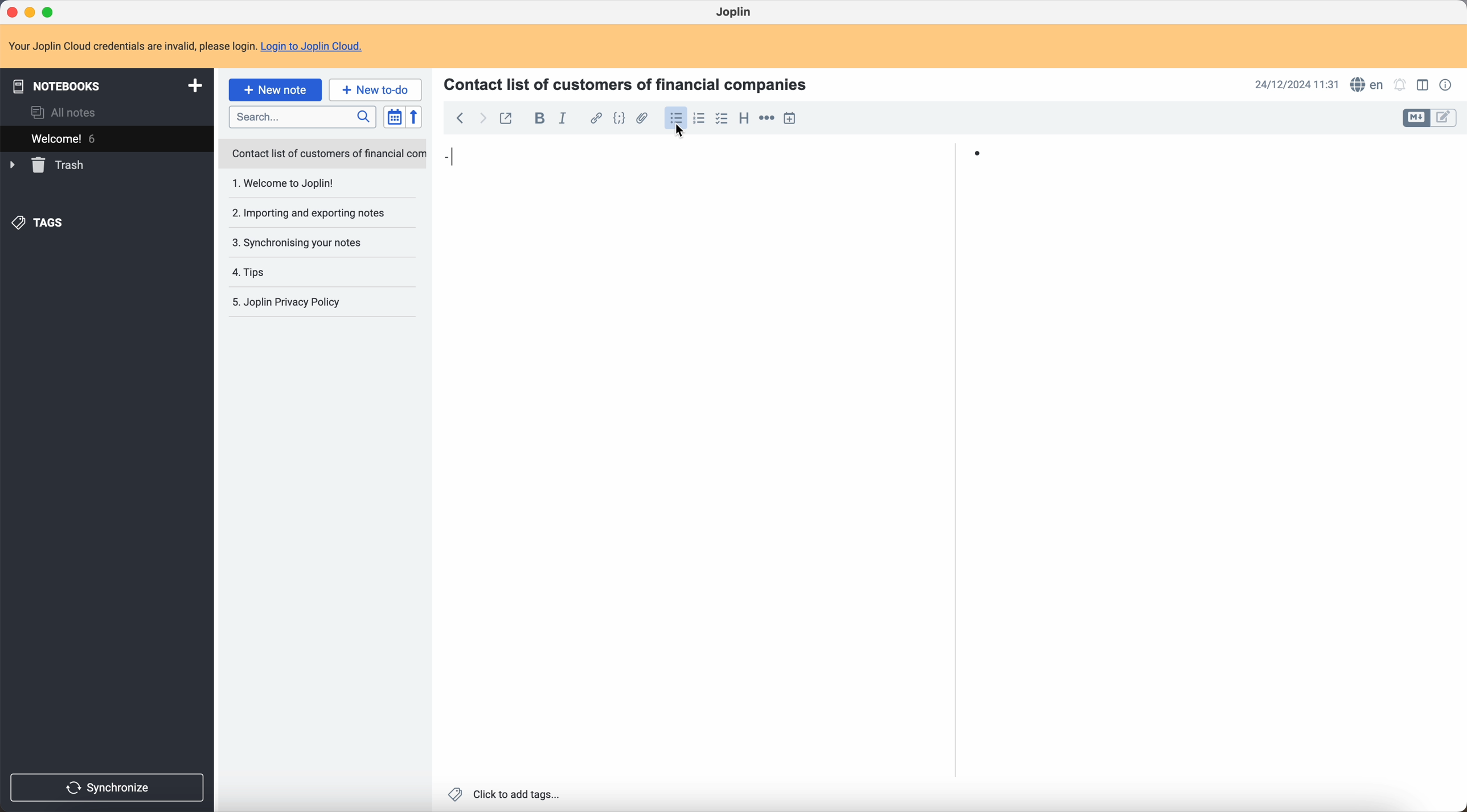 The width and height of the screenshot is (1467, 812). Describe the element at coordinates (327, 154) in the screenshot. I see `Contact list of customers of financial com` at that location.